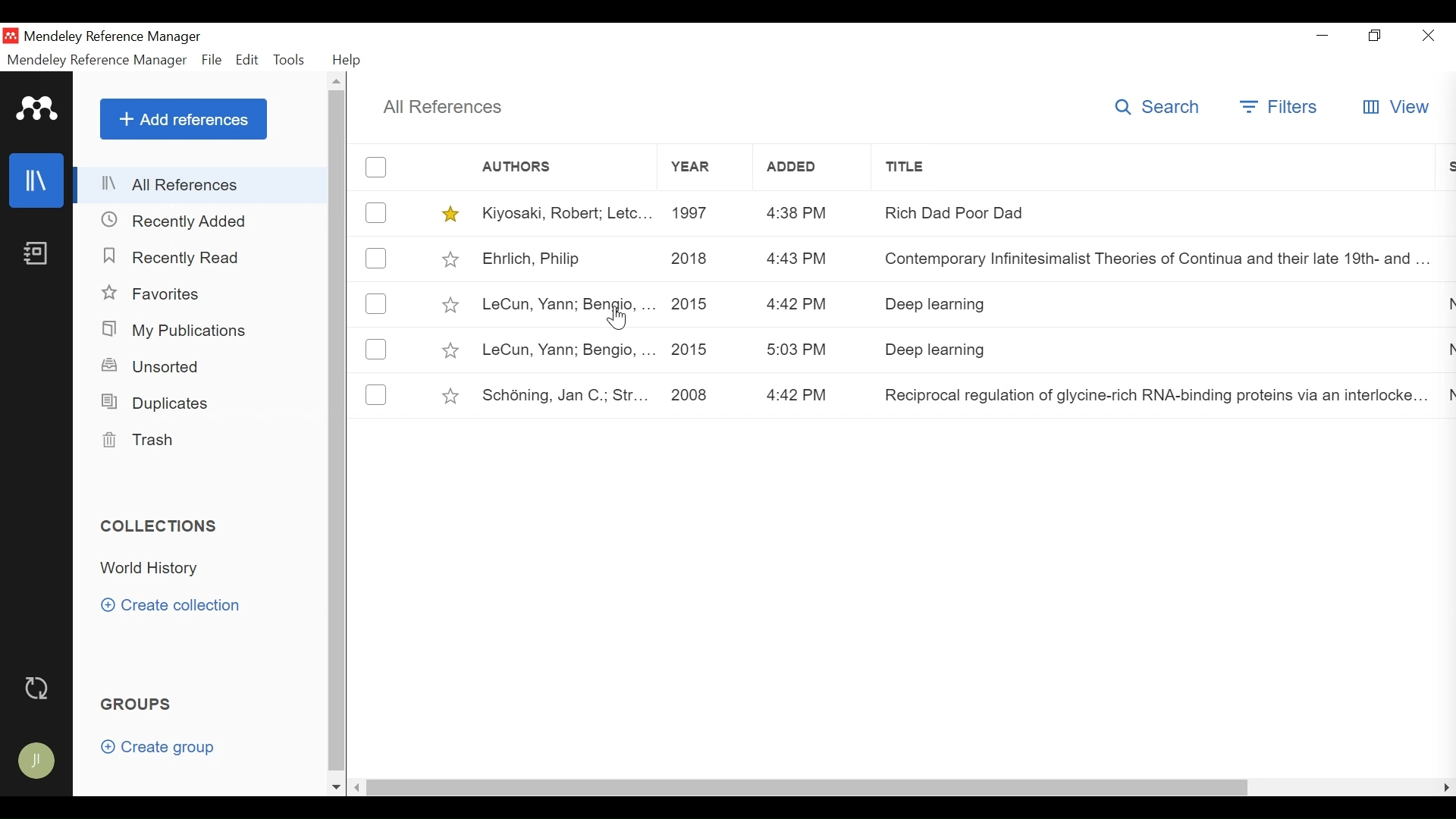 This screenshot has width=1456, height=819. Describe the element at coordinates (1156, 305) in the screenshot. I see `Deep learning` at that location.